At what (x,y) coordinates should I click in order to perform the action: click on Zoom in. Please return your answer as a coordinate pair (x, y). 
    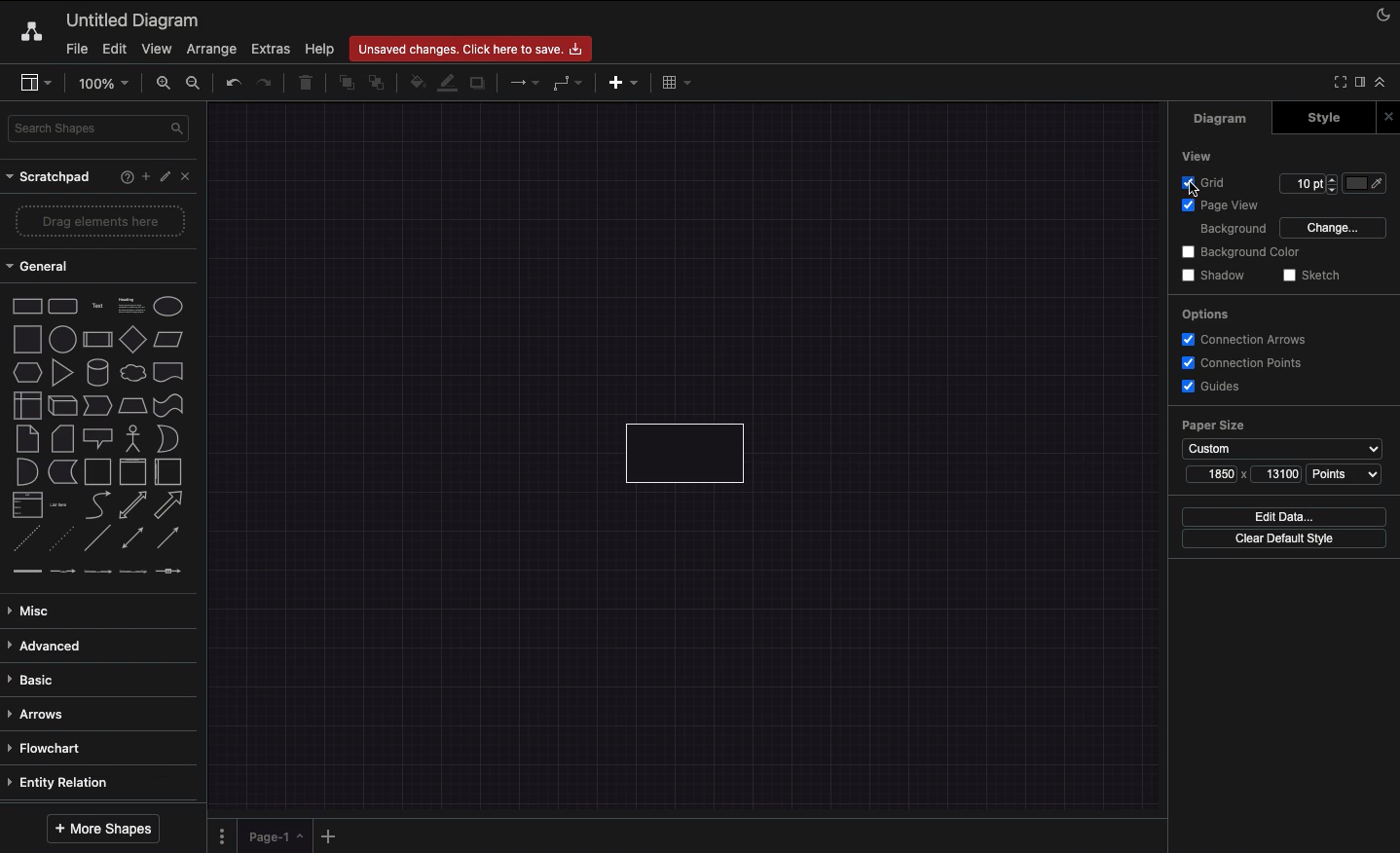
    Looking at the image, I should click on (164, 83).